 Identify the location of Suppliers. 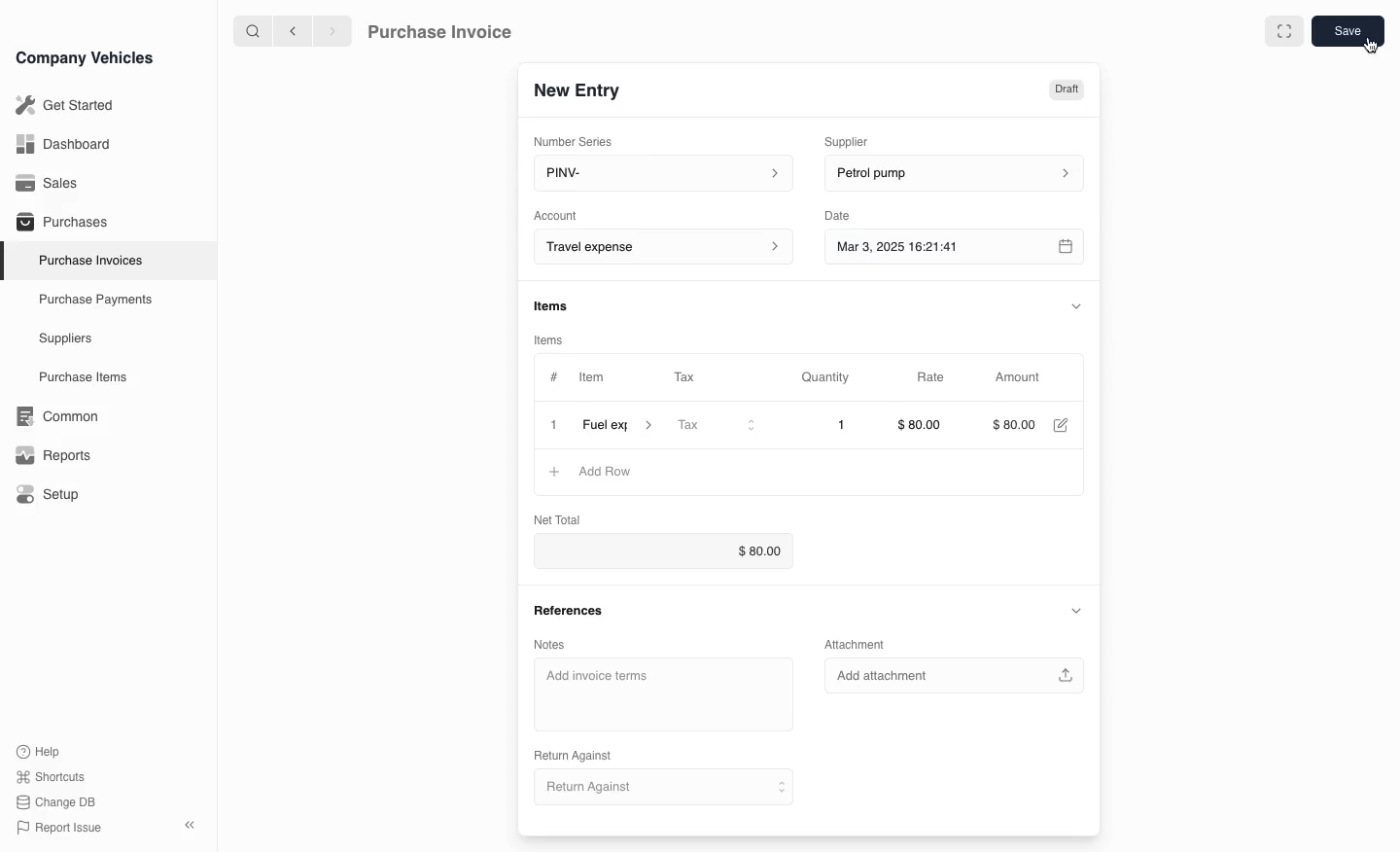
(64, 339).